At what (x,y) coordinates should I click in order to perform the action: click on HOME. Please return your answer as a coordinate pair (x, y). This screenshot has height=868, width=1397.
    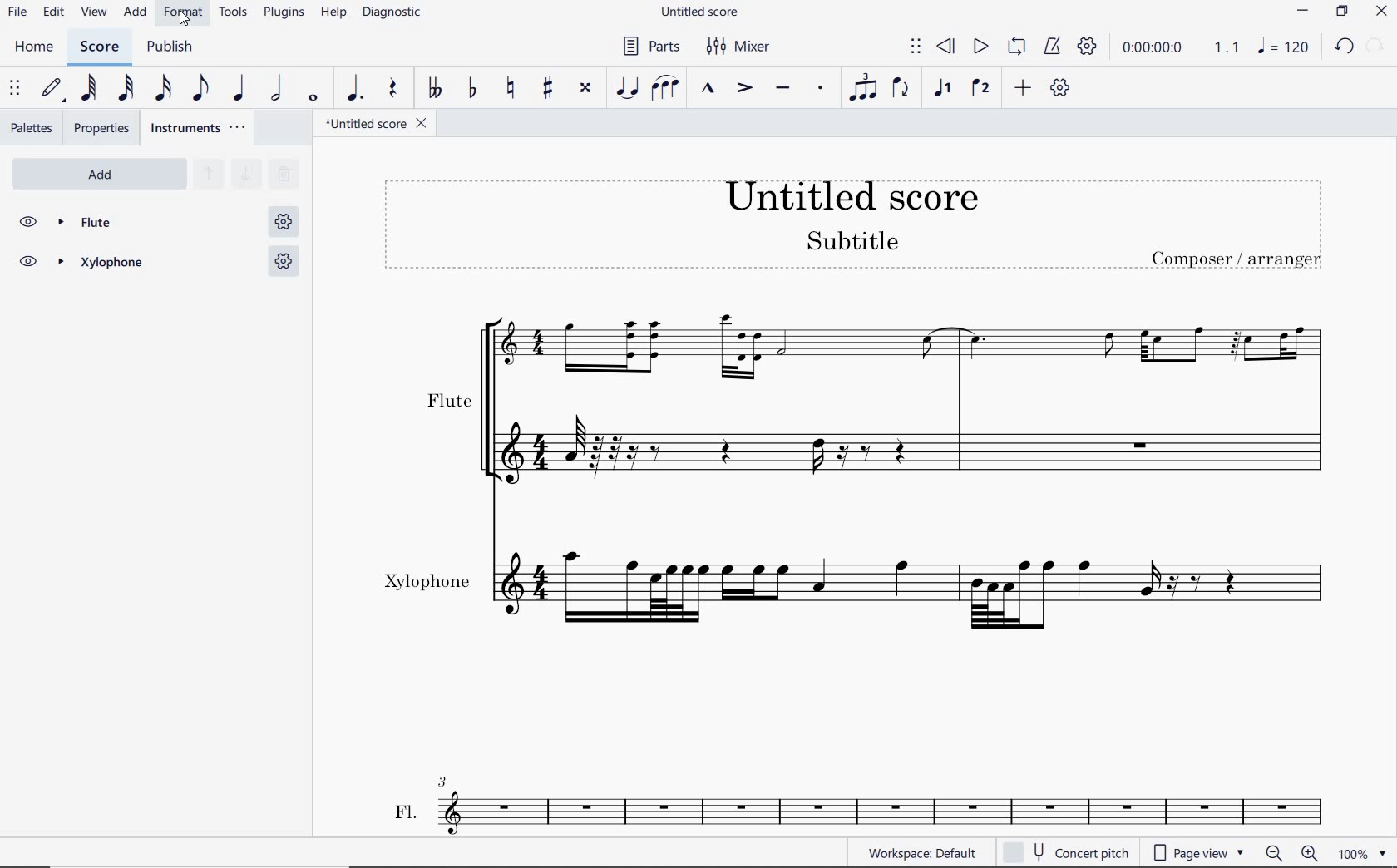
    Looking at the image, I should click on (34, 47).